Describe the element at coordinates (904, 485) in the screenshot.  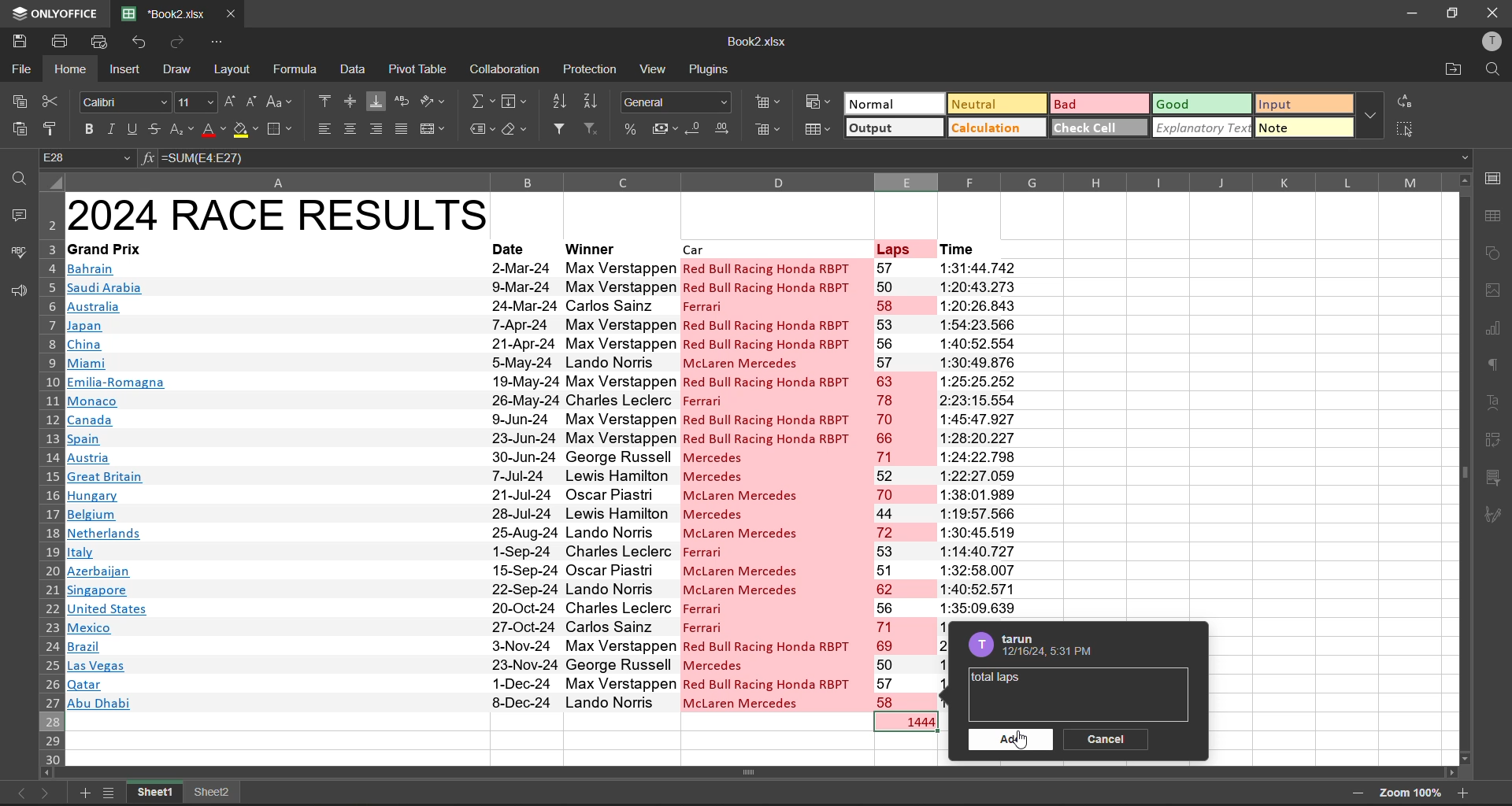
I see `laps` at that location.